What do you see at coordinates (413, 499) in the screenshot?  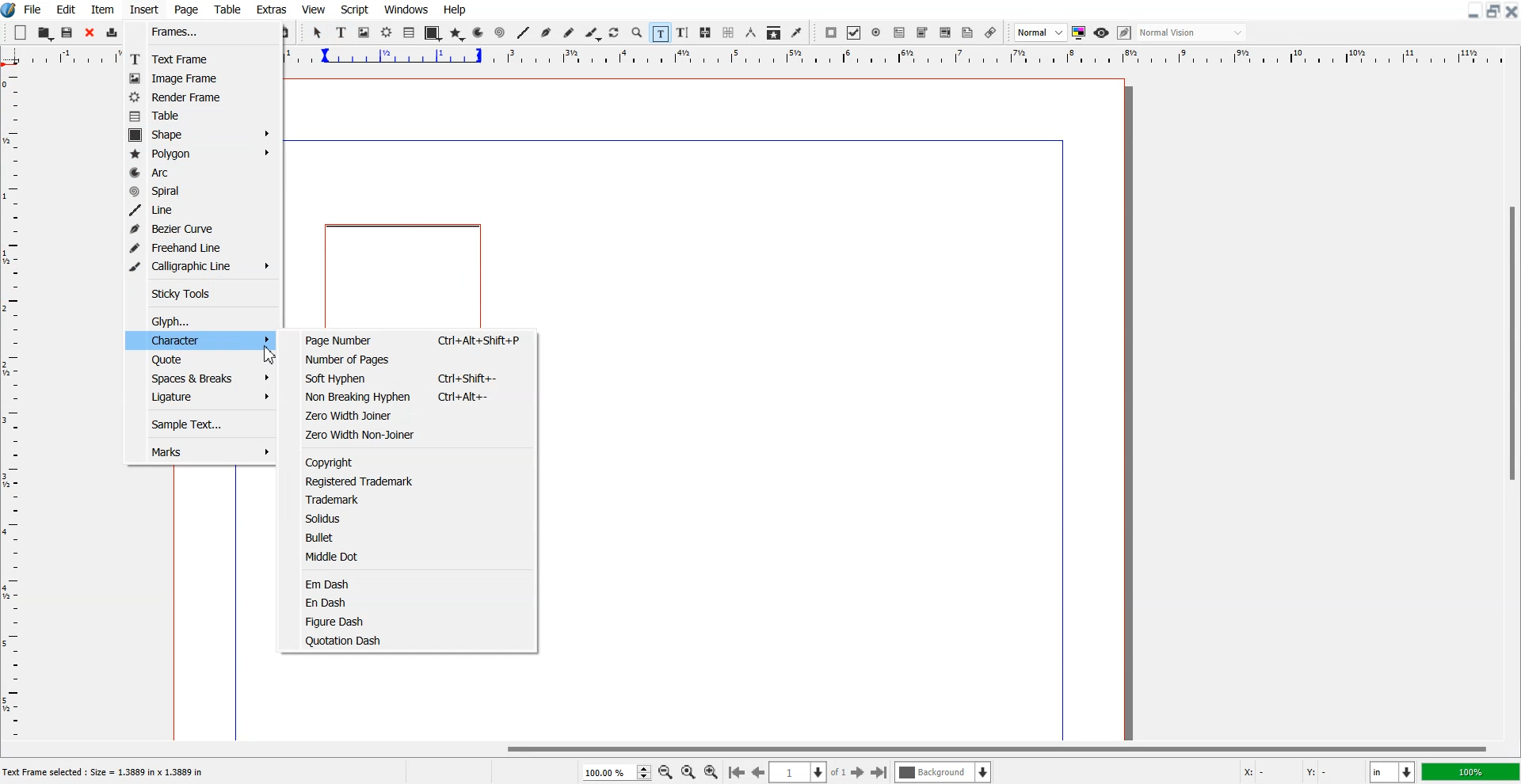 I see `Trademark` at bounding box center [413, 499].